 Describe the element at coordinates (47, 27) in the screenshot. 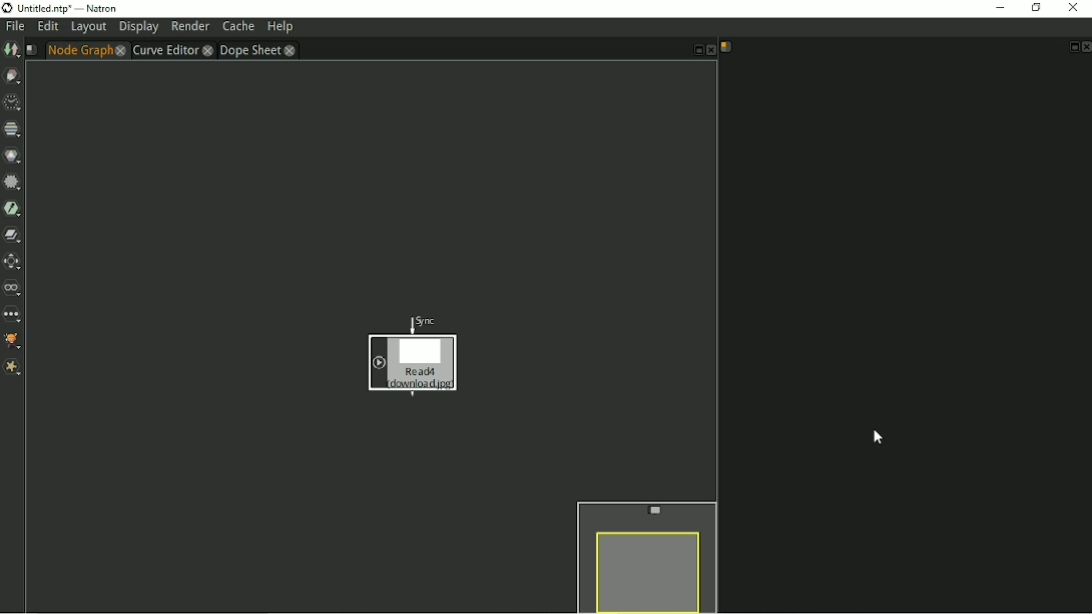

I see `Edit` at that location.